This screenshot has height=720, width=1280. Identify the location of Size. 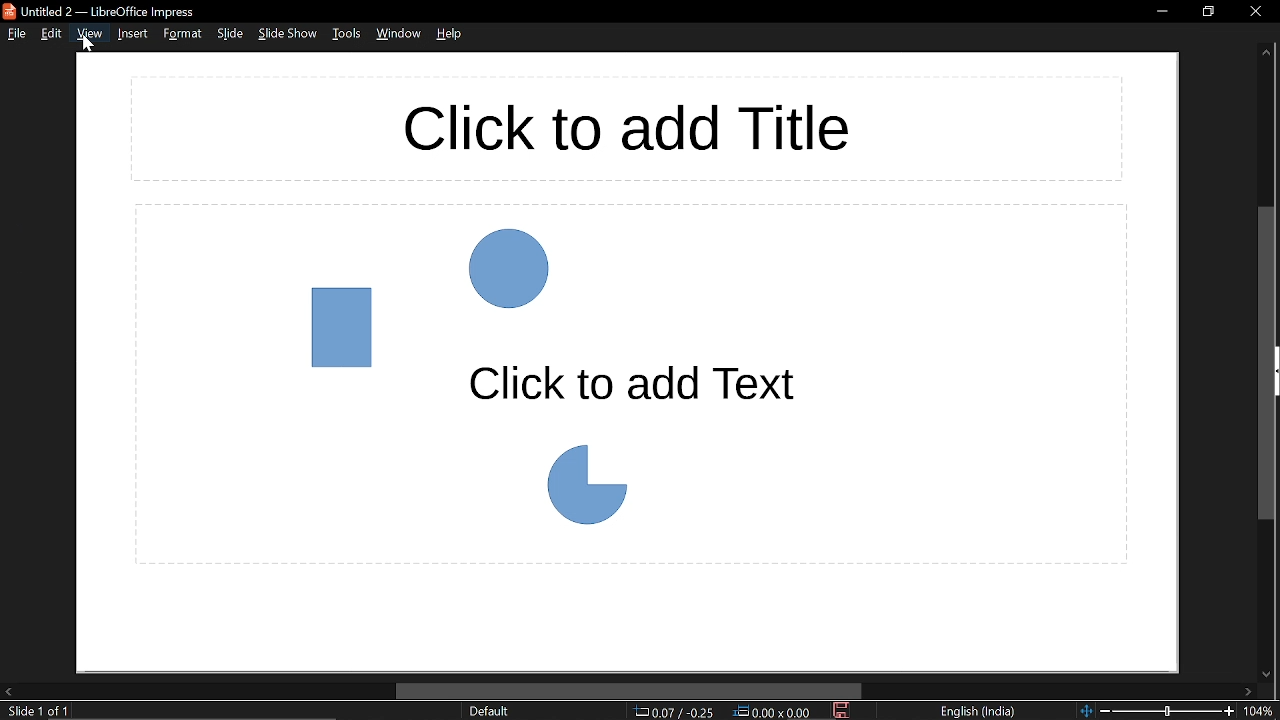
(774, 712).